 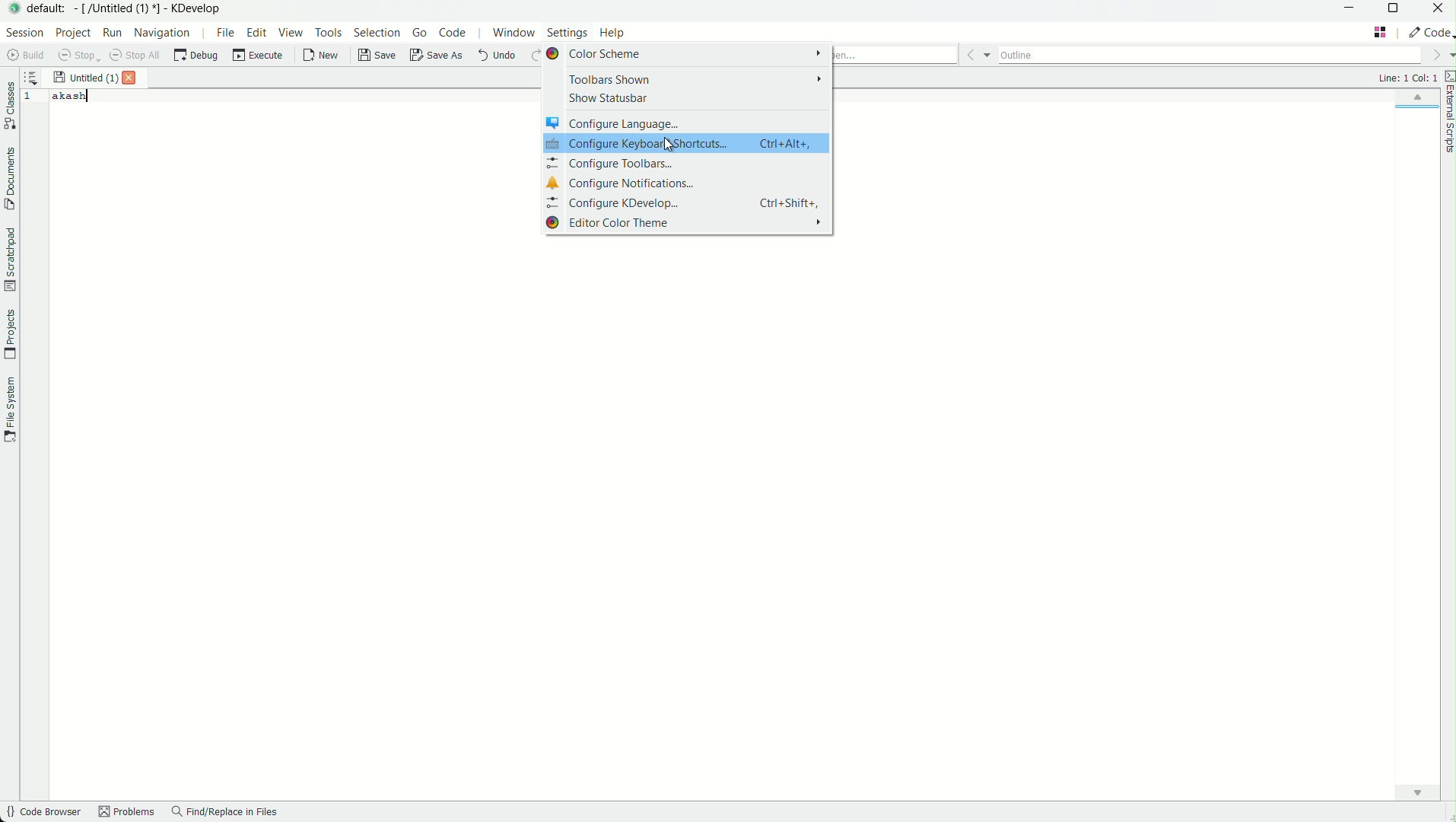 What do you see at coordinates (196, 56) in the screenshot?
I see `debug` at bounding box center [196, 56].